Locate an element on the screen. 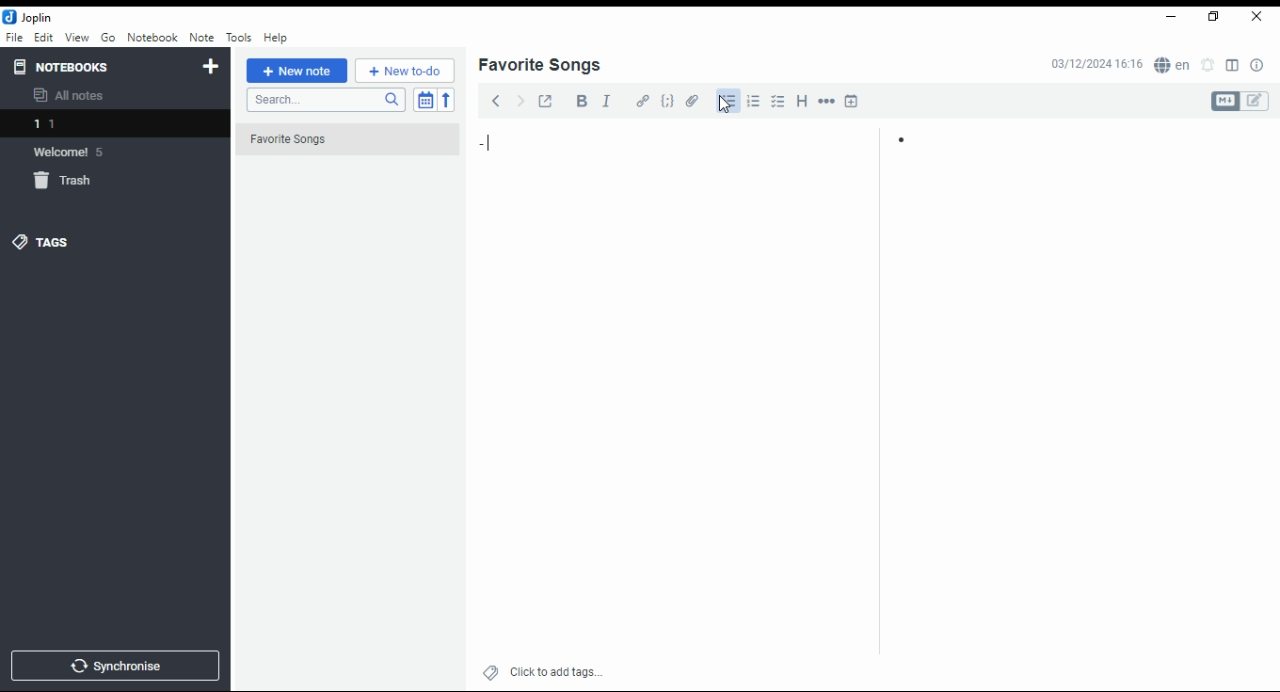 Image resolution: width=1280 pixels, height=692 pixels. set alarm is located at coordinates (1209, 65).